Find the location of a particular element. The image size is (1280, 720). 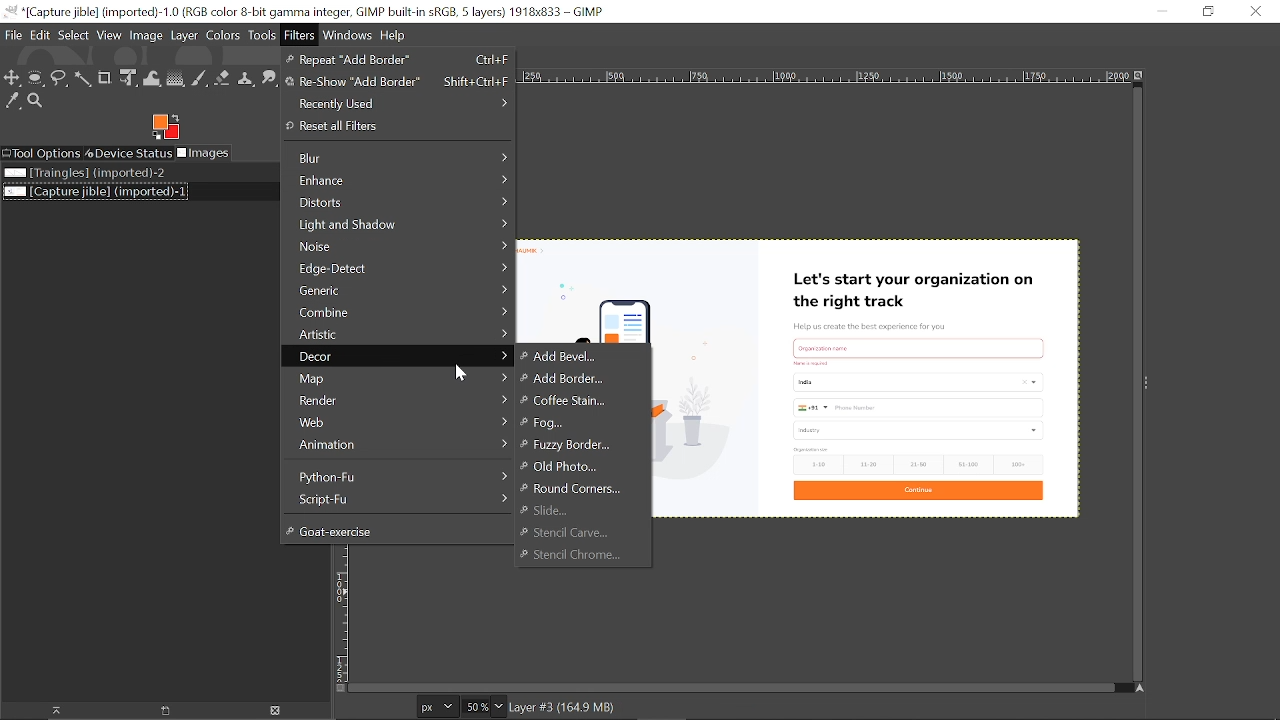

Map is located at coordinates (397, 378).